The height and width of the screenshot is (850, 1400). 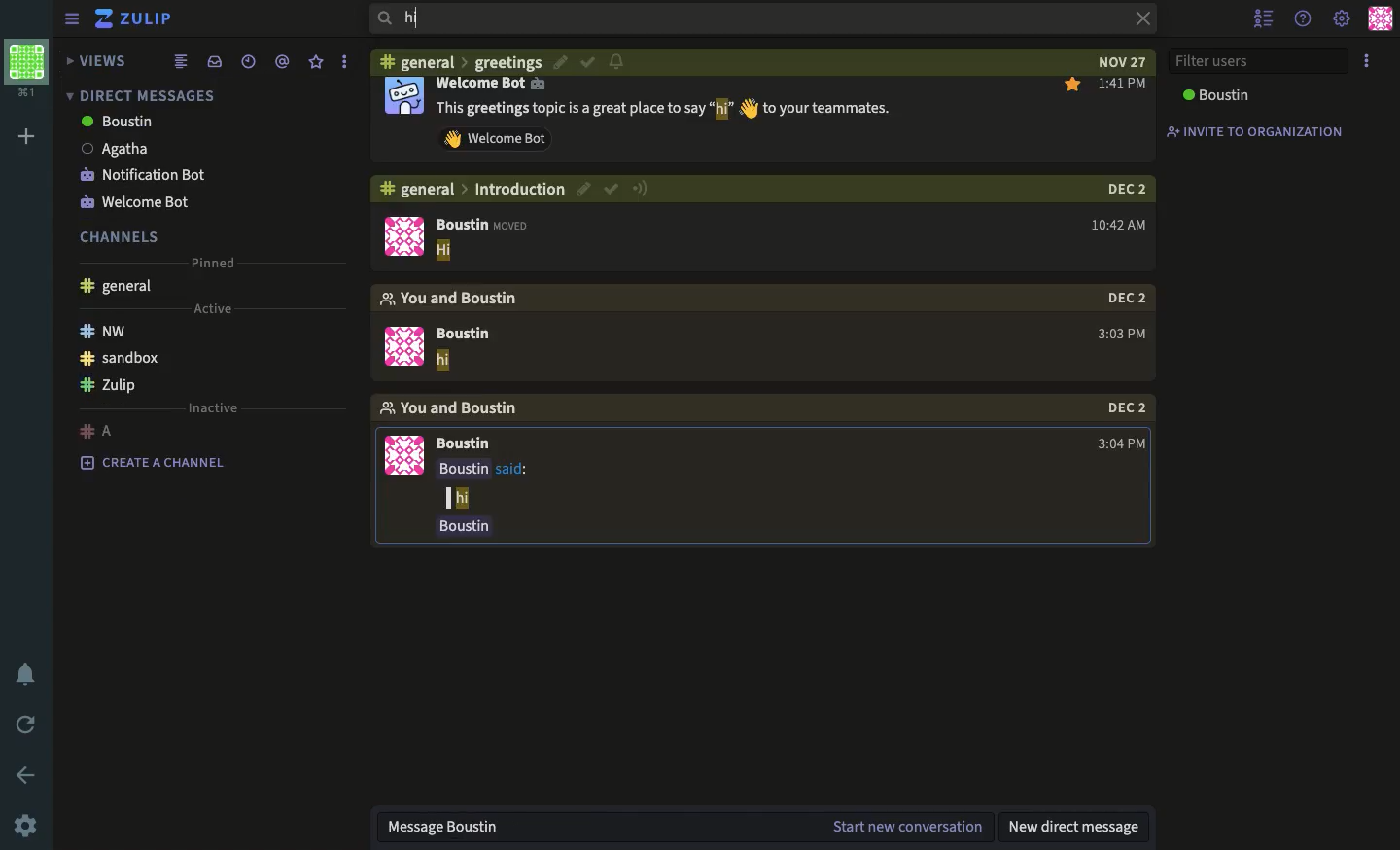 What do you see at coordinates (1263, 131) in the screenshot?
I see `invite to organization` at bounding box center [1263, 131].